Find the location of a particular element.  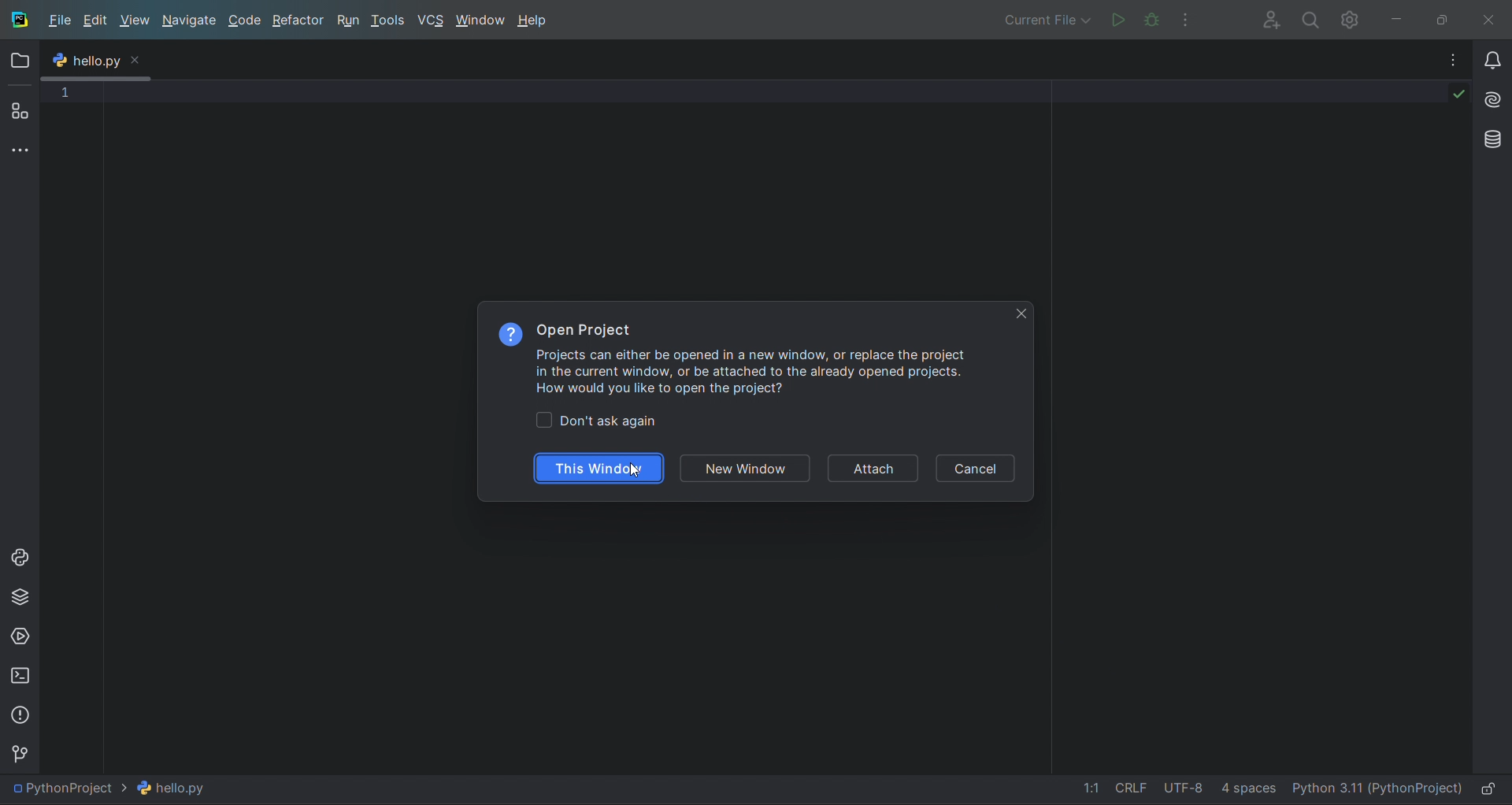

refactor is located at coordinates (298, 20).